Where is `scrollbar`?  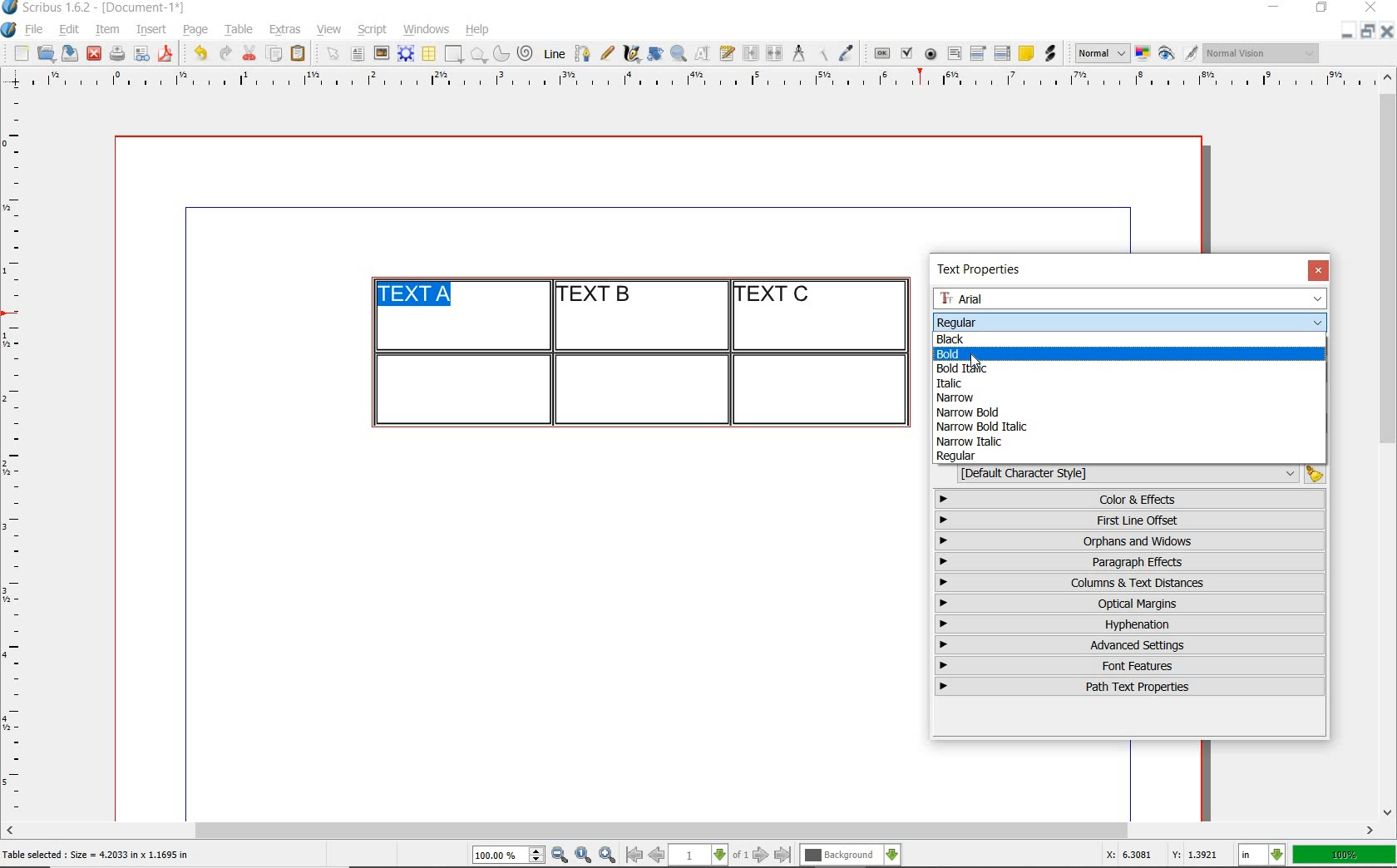 scrollbar is located at coordinates (690, 832).